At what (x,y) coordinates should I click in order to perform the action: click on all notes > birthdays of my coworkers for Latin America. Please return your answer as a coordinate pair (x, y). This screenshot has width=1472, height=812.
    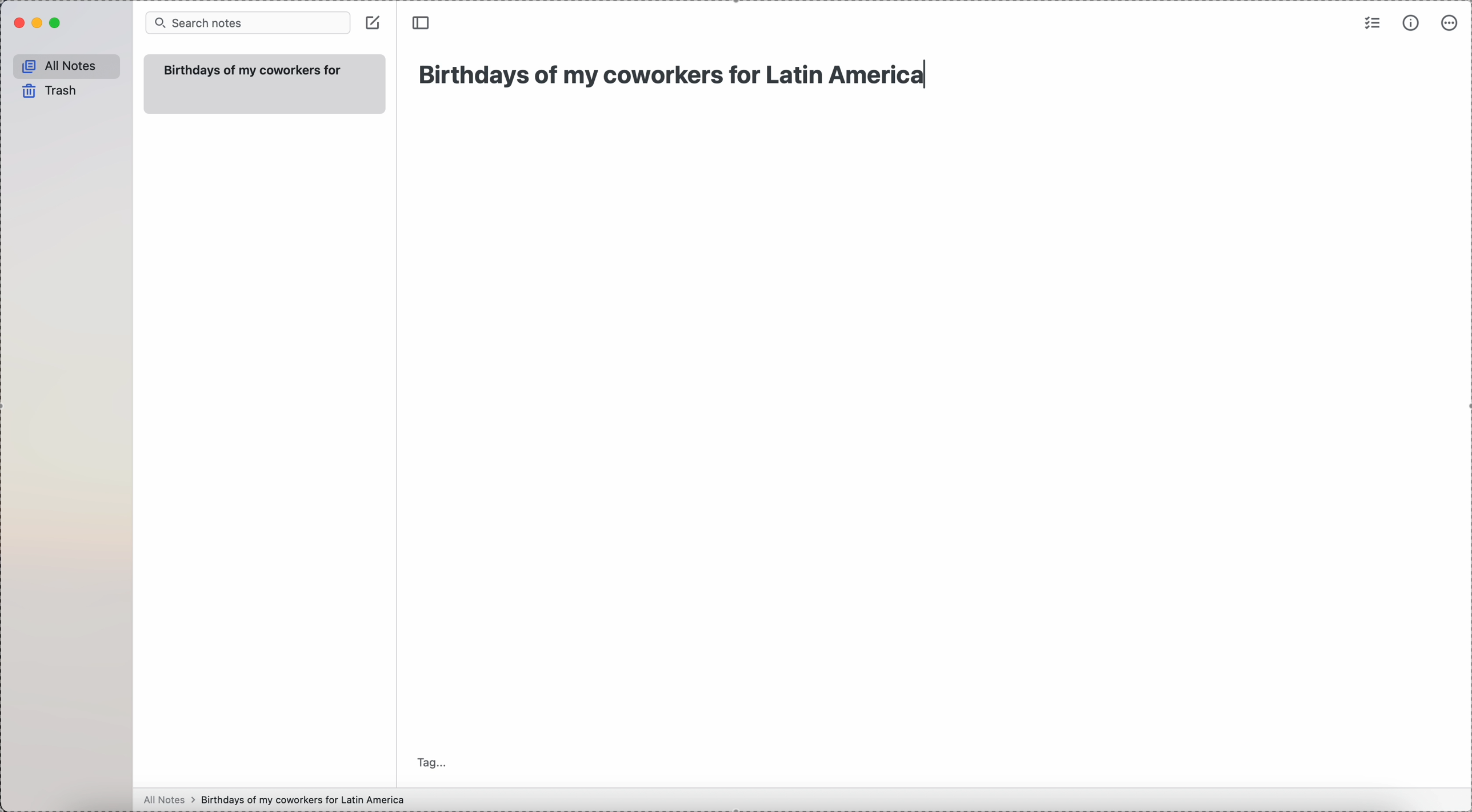
    Looking at the image, I should click on (277, 799).